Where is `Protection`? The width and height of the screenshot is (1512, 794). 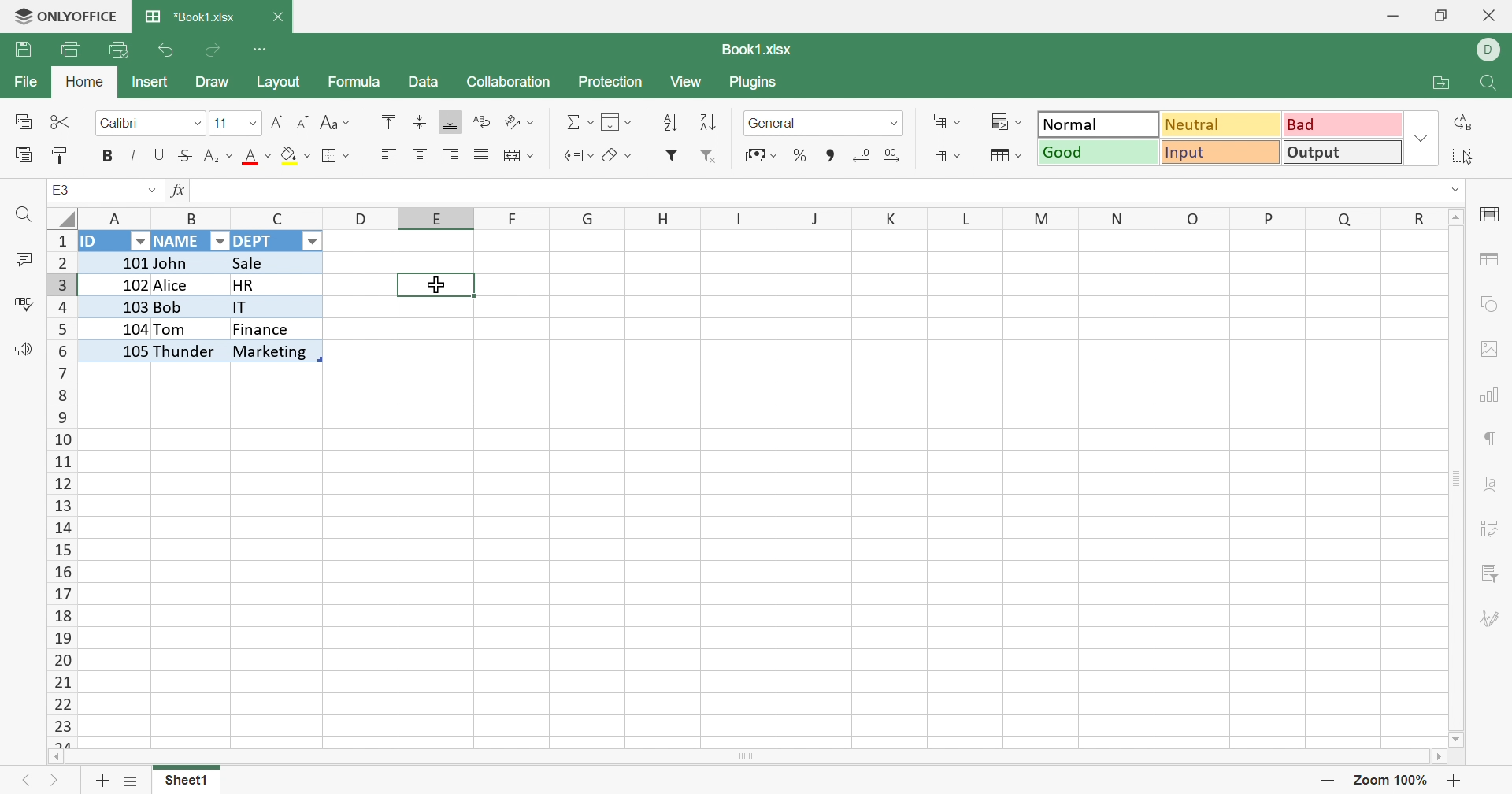 Protection is located at coordinates (613, 79).